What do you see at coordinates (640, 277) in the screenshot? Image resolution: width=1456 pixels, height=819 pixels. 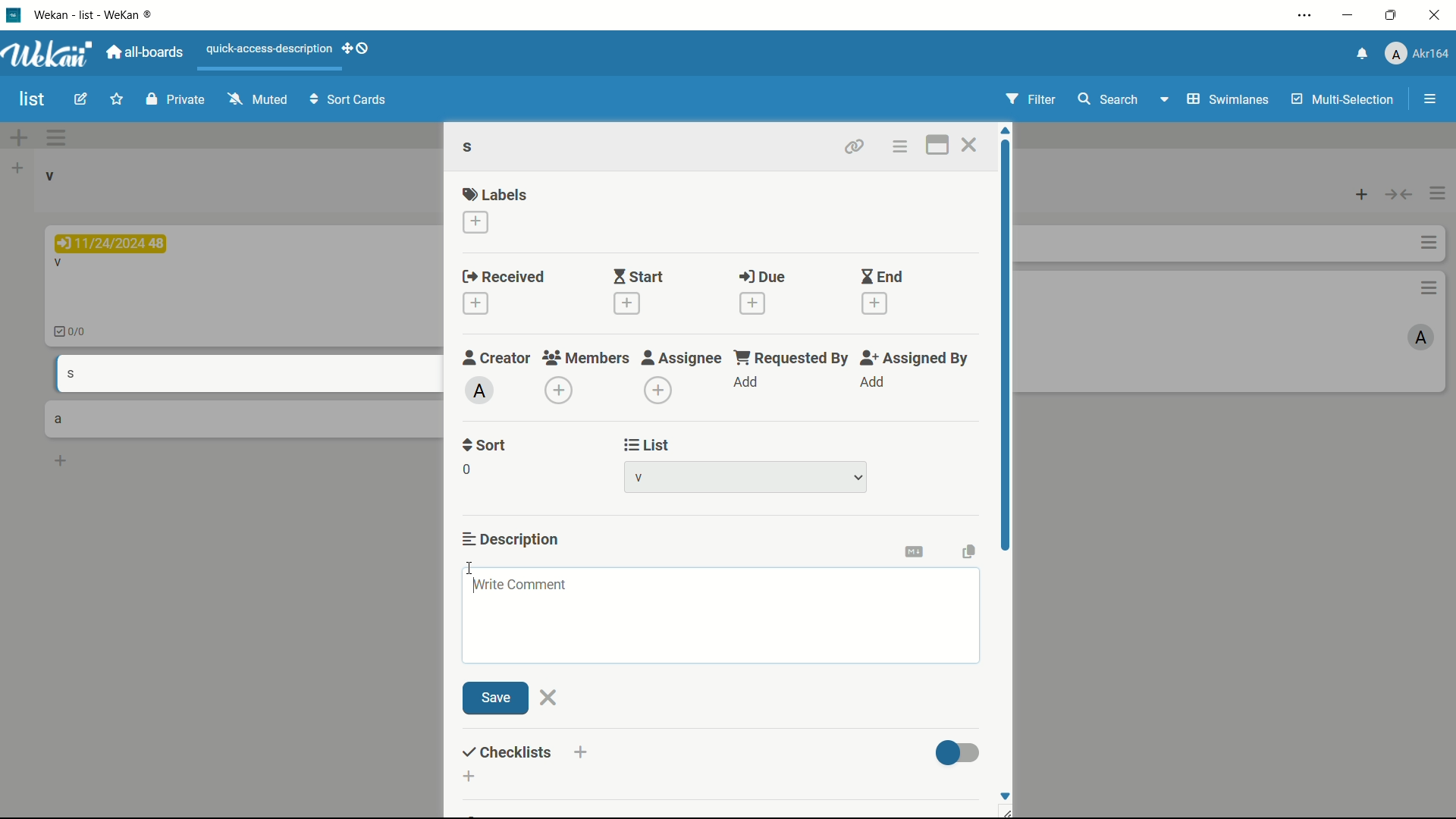 I see `start` at bounding box center [640, 277].